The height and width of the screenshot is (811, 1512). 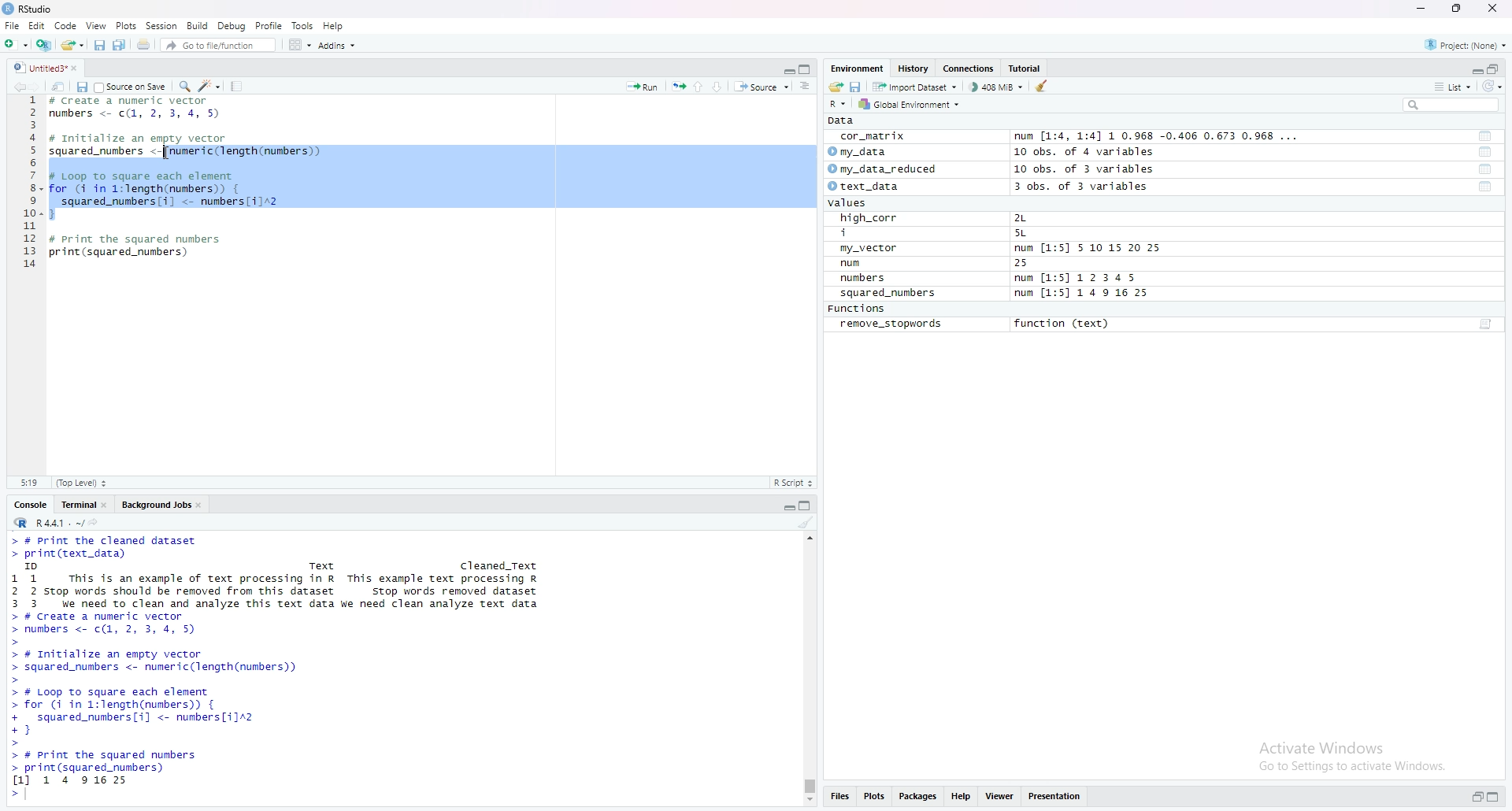 What do you see at coordinates (889, 295) in the screenshot?
I see `squared_numbers` at bounding box center [889, 295].